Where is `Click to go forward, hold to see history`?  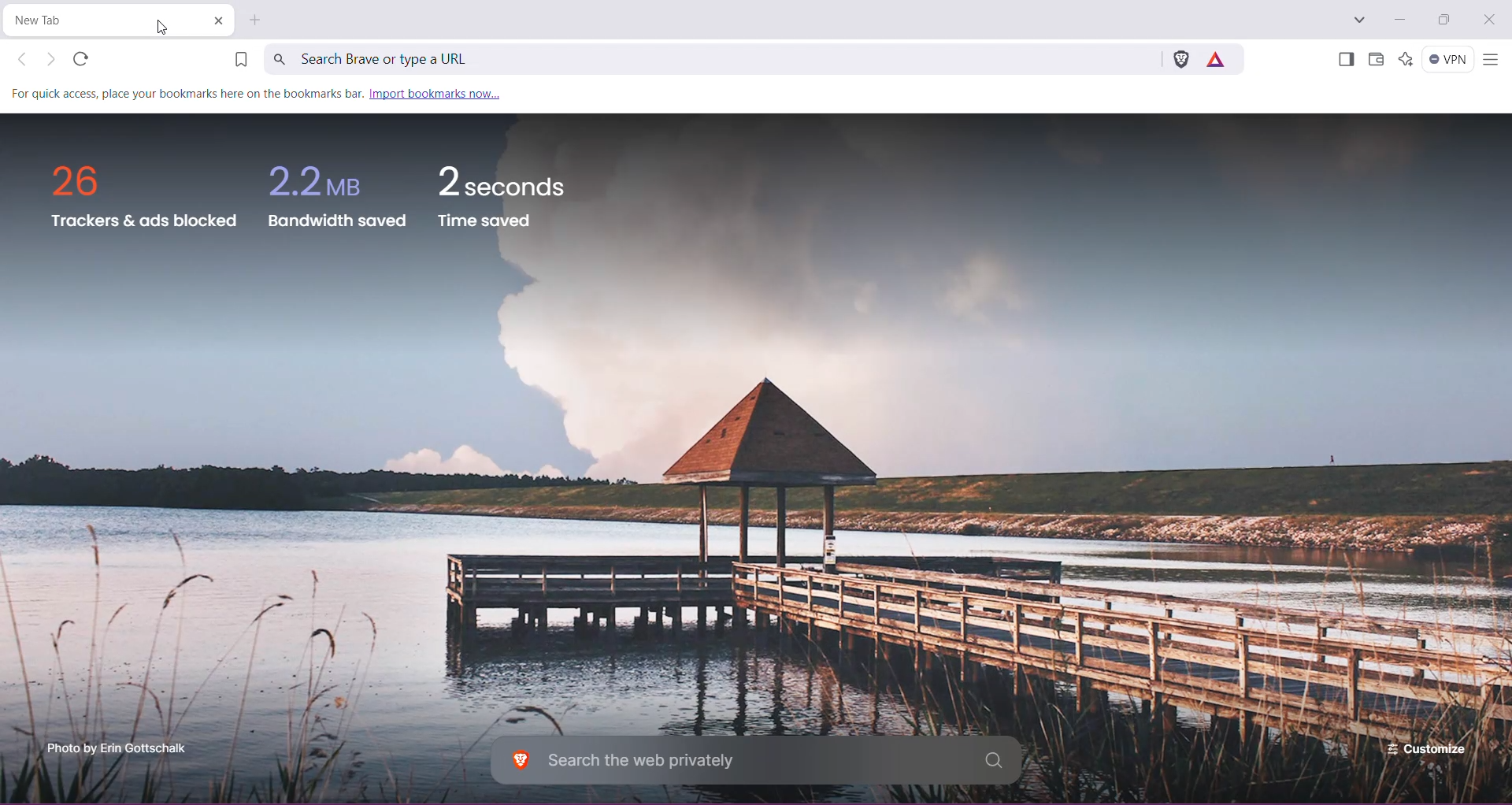
Click to go forward, hold to see history is located at coordinates (51, 59).